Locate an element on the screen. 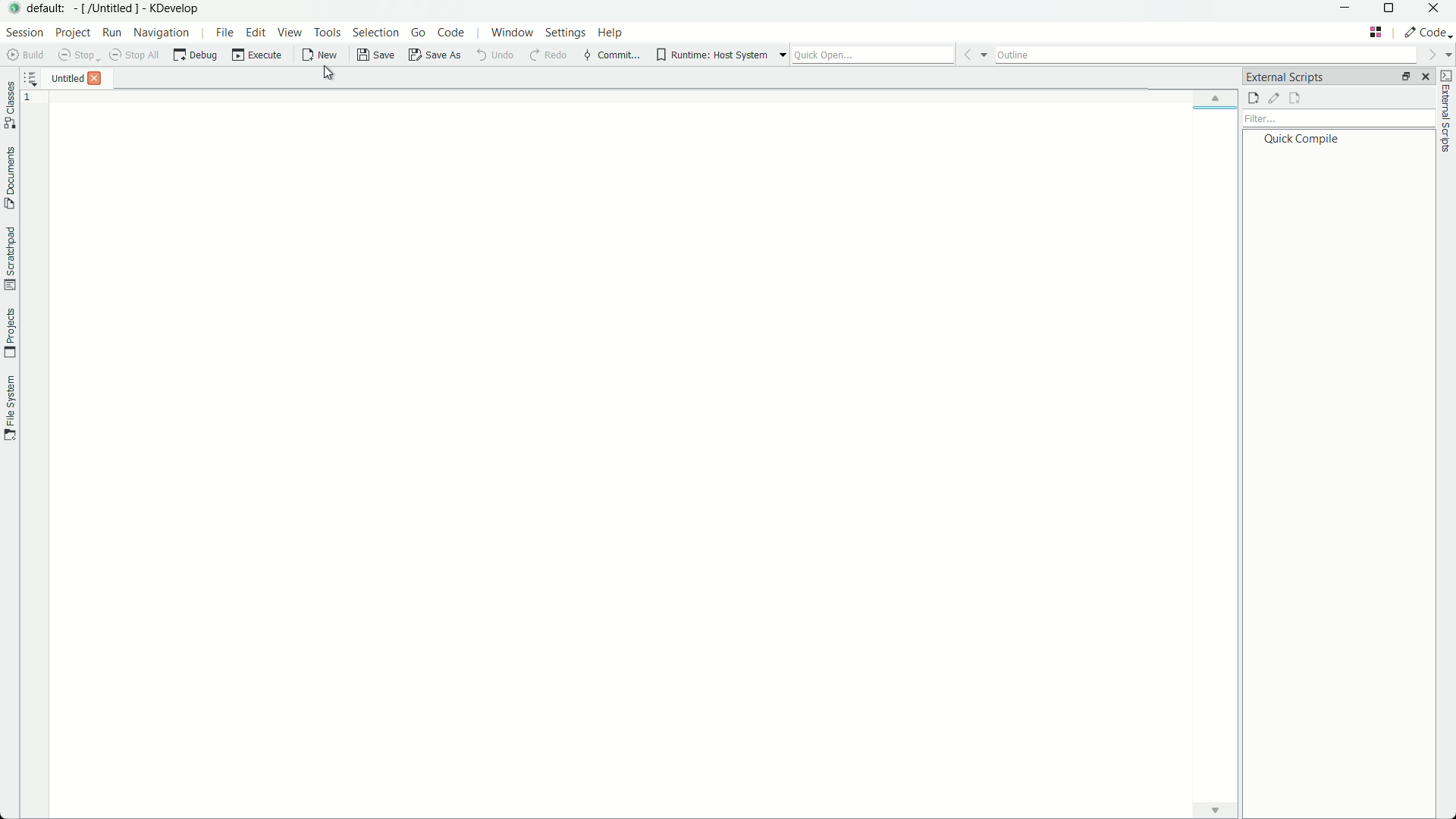  build is located at coordinates (26, 55).